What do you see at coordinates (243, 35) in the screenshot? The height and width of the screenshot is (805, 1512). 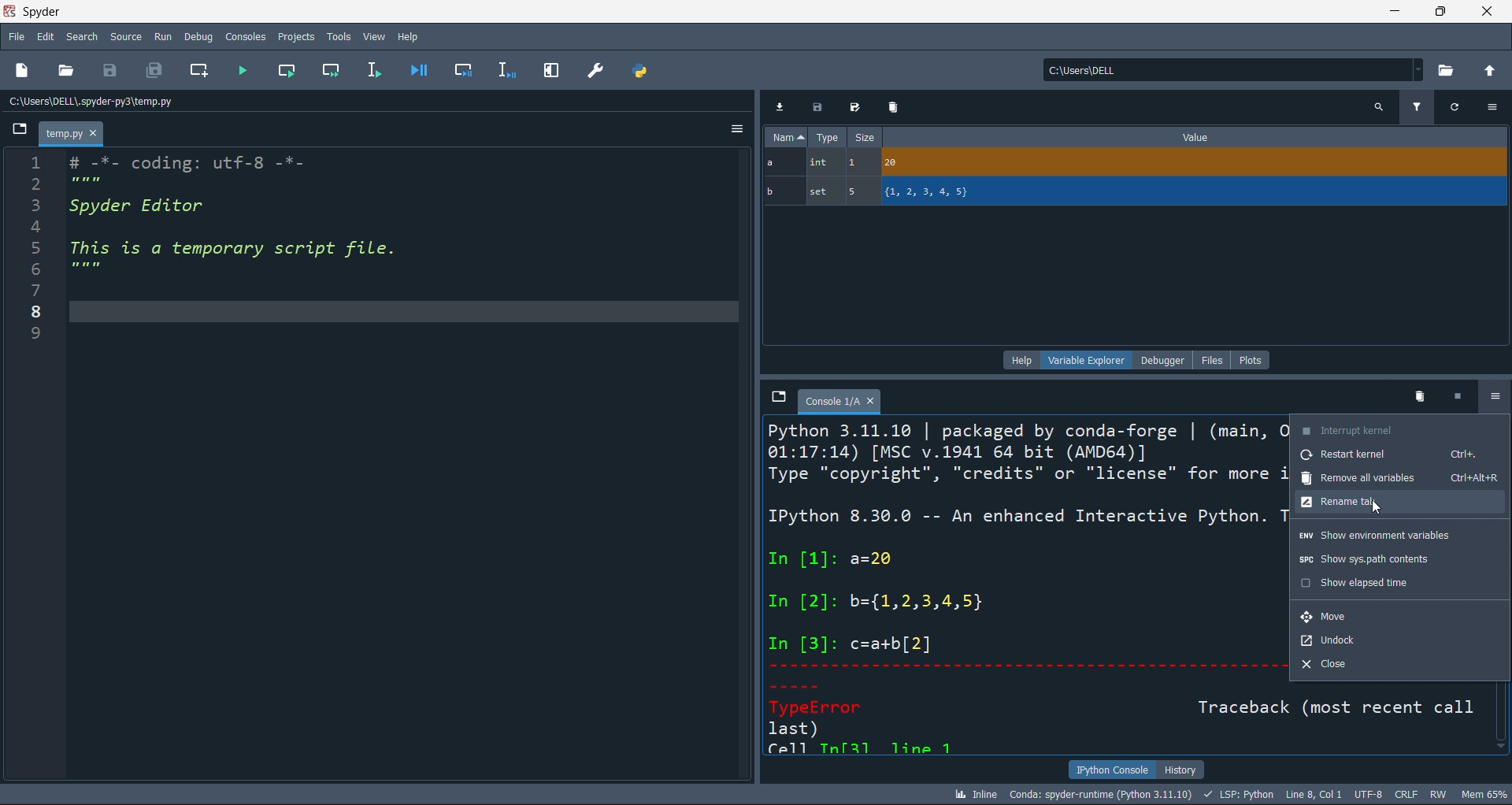 I see `consoles` at bounding box center [243, 35].